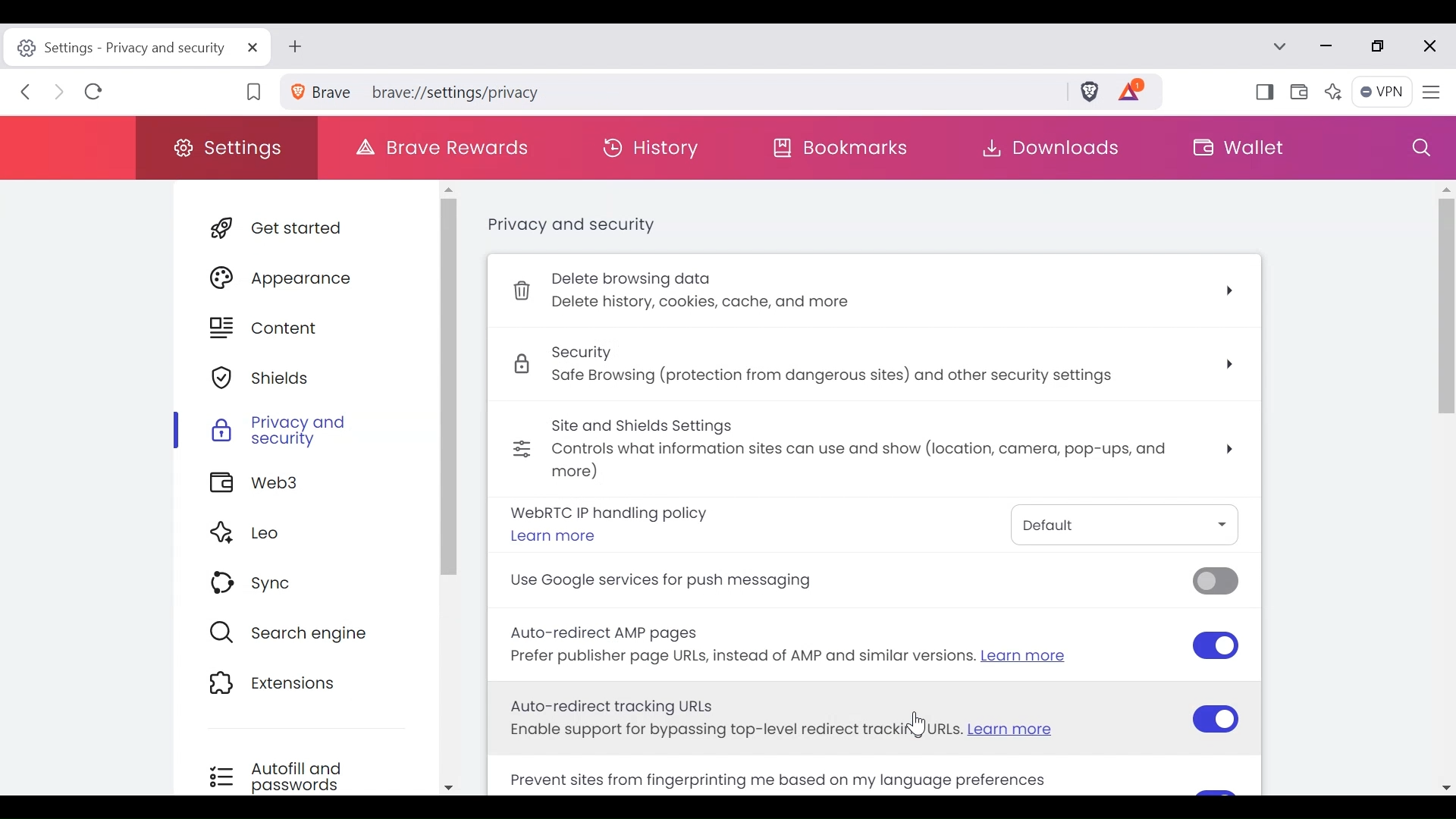 This screenshot has height=819, width=1456. Describe the element at coordinates (256, 92) in the screenshot. I see `Bookmark this Tab` at that location.